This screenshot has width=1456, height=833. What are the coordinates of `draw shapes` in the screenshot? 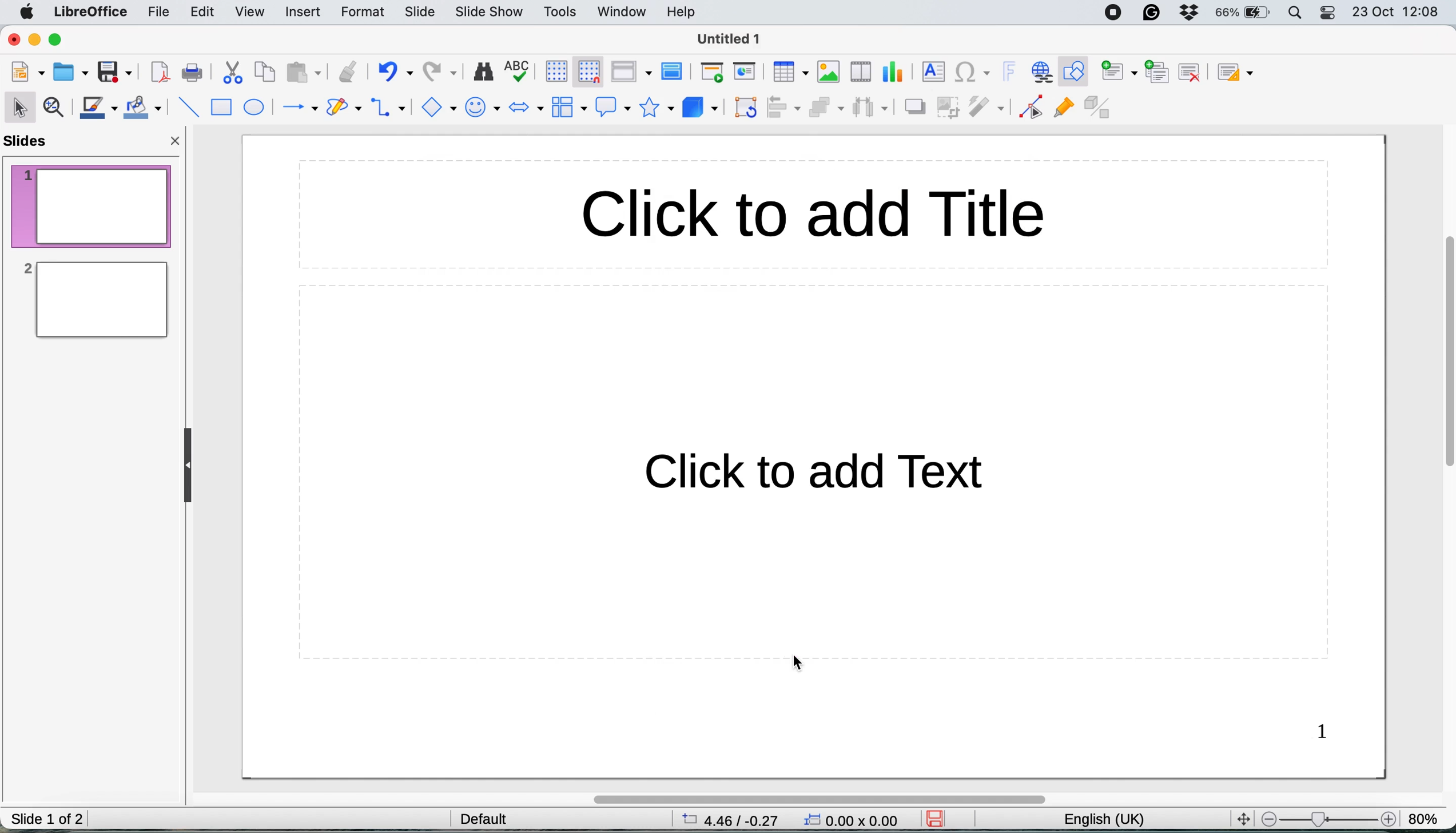 It's located at (344, 108).